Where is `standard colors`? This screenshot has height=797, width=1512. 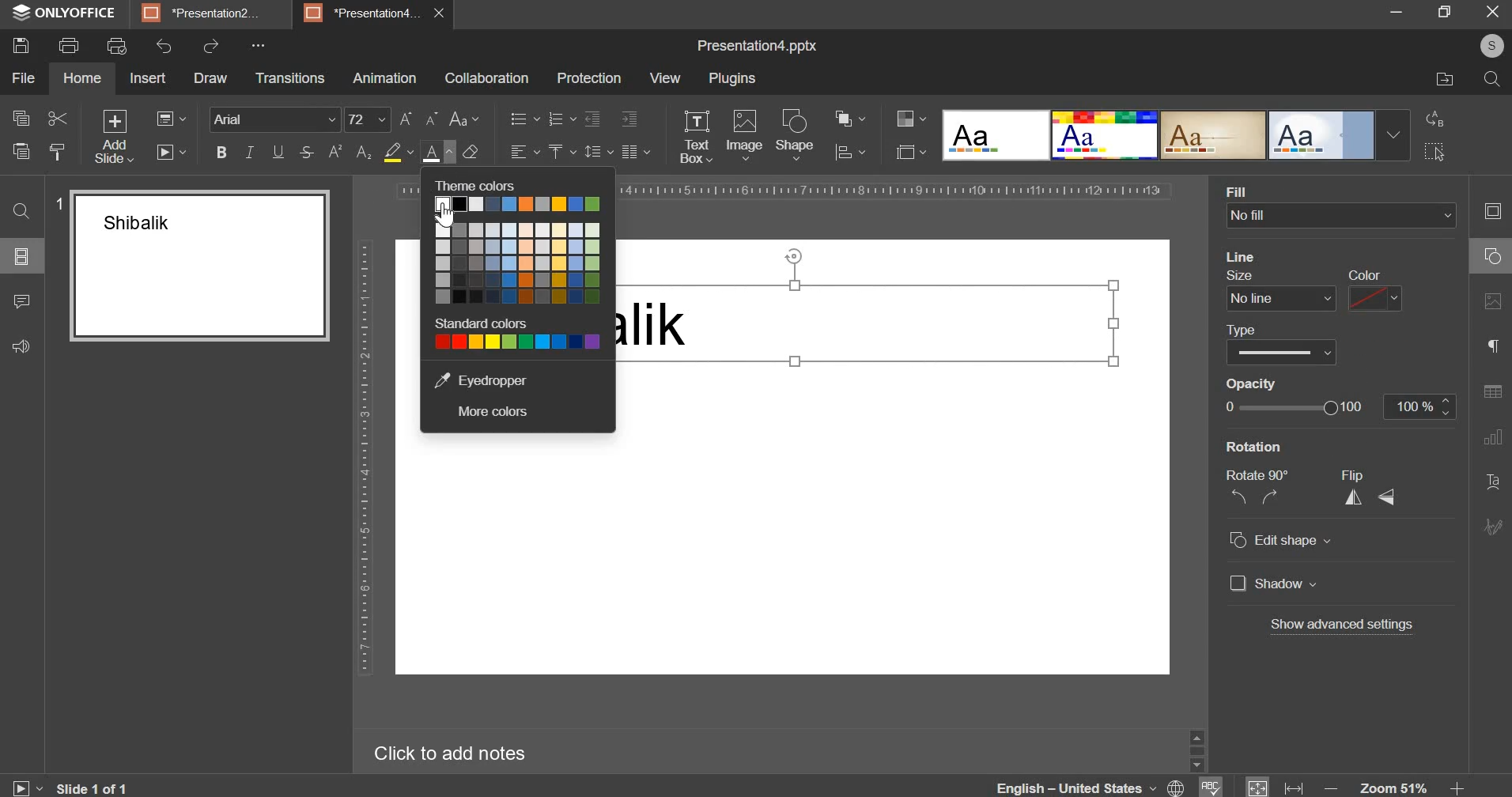
standard colors is located at coordinates (517, 341).